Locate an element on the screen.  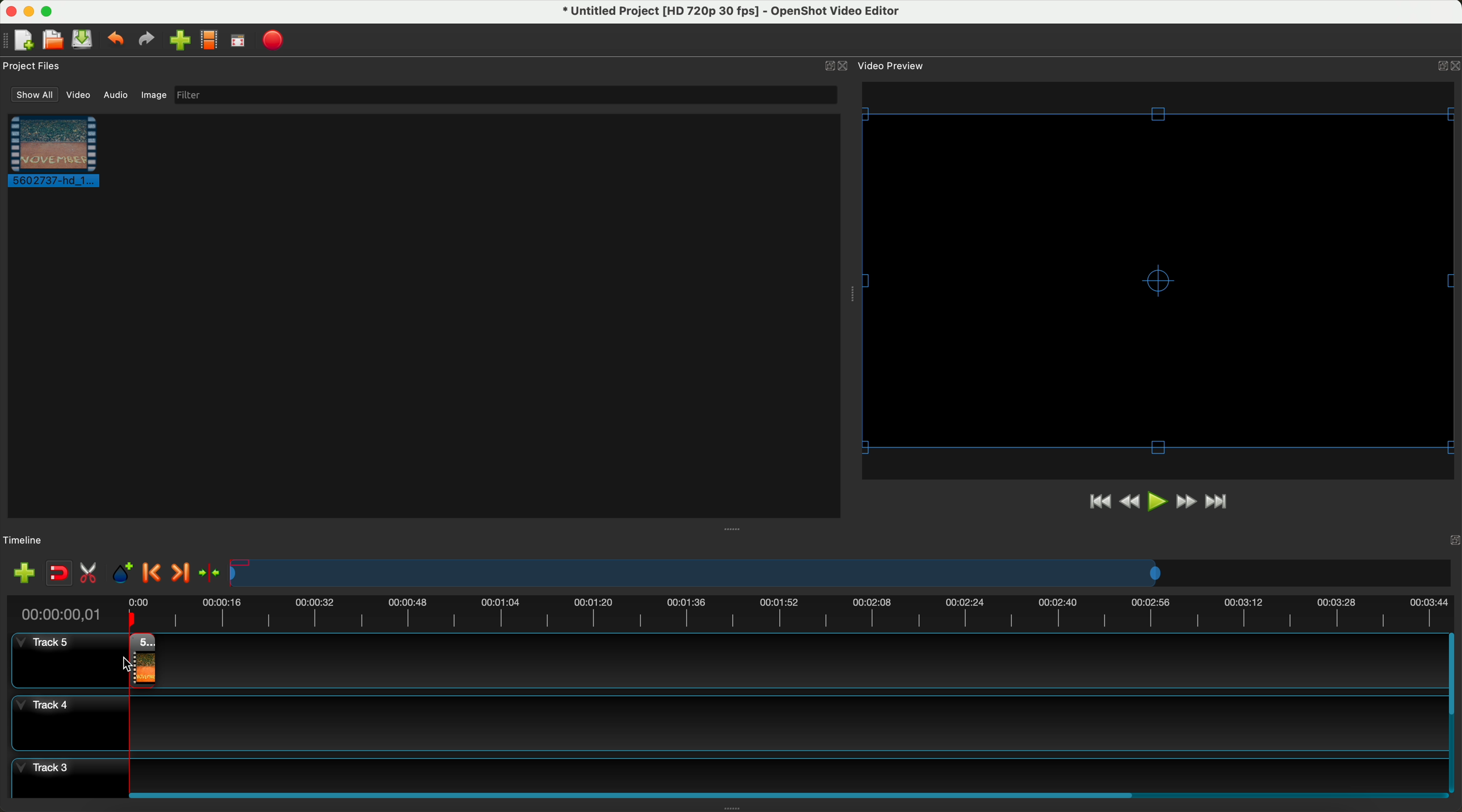
timeline is located at coordinates (734, 613).